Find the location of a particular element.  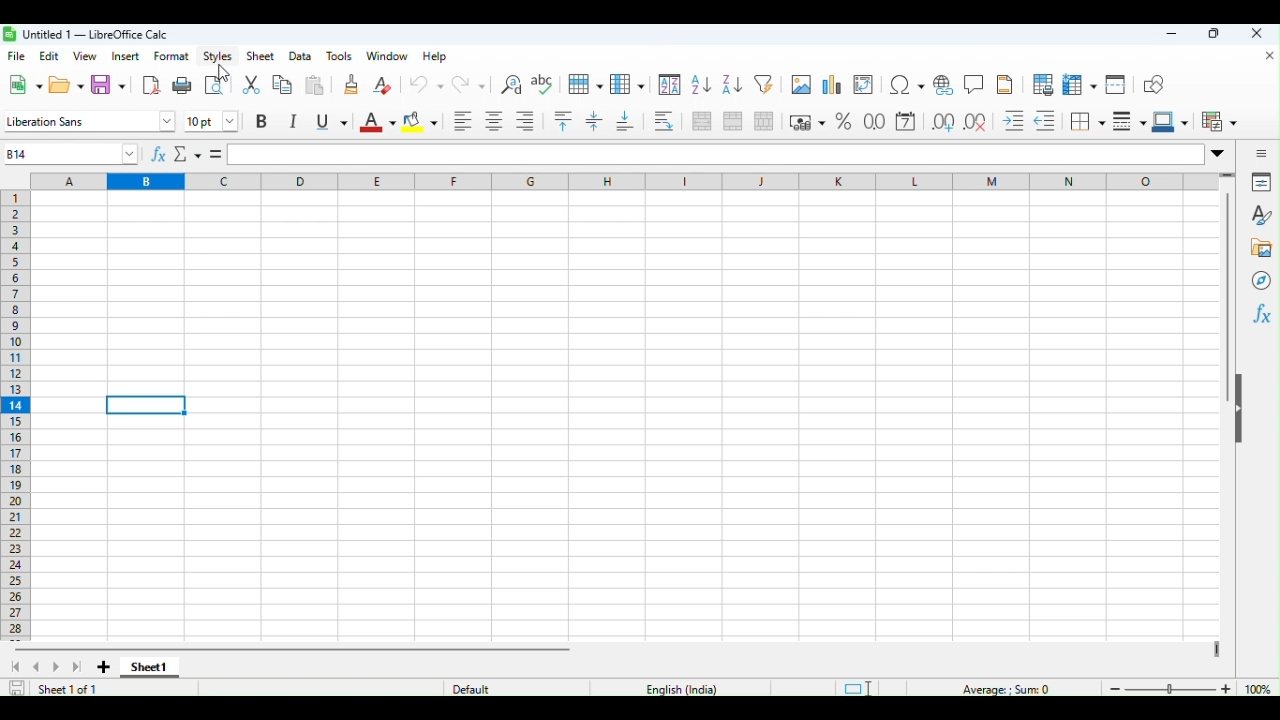

cut is located at coordinates (250, 84).